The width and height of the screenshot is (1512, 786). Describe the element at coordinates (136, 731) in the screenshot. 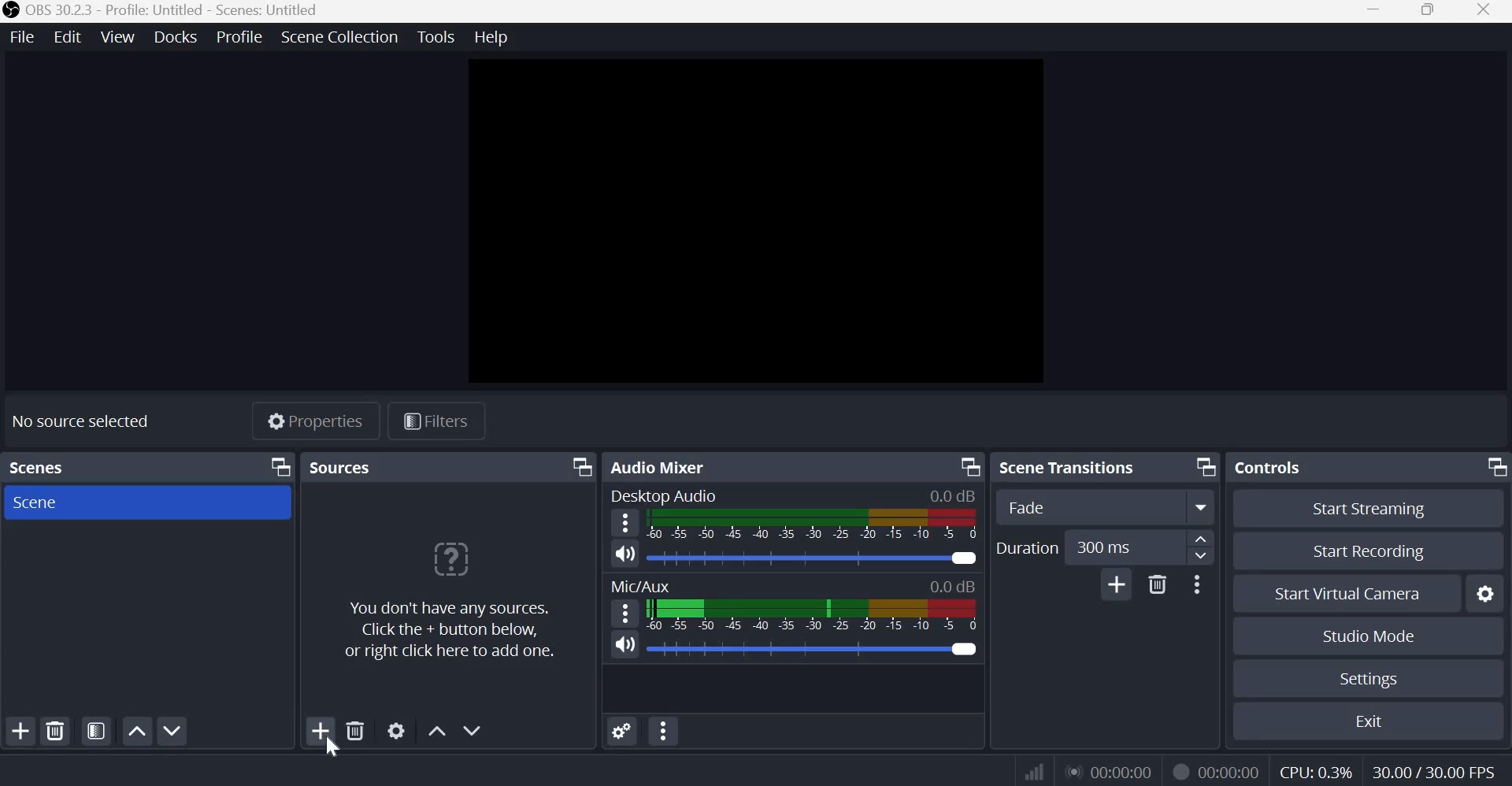

I see `Move scene up` at that location.